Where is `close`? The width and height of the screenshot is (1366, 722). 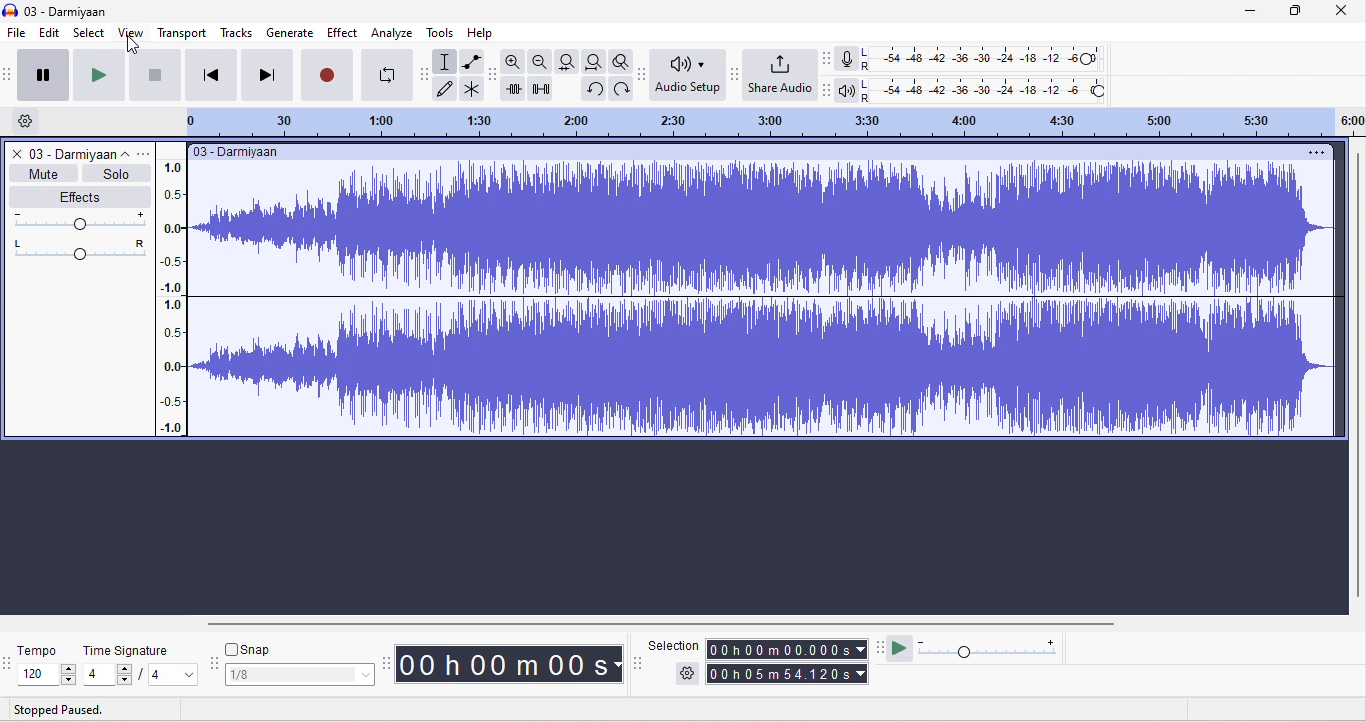 close is located at coordinates (1341, 12).